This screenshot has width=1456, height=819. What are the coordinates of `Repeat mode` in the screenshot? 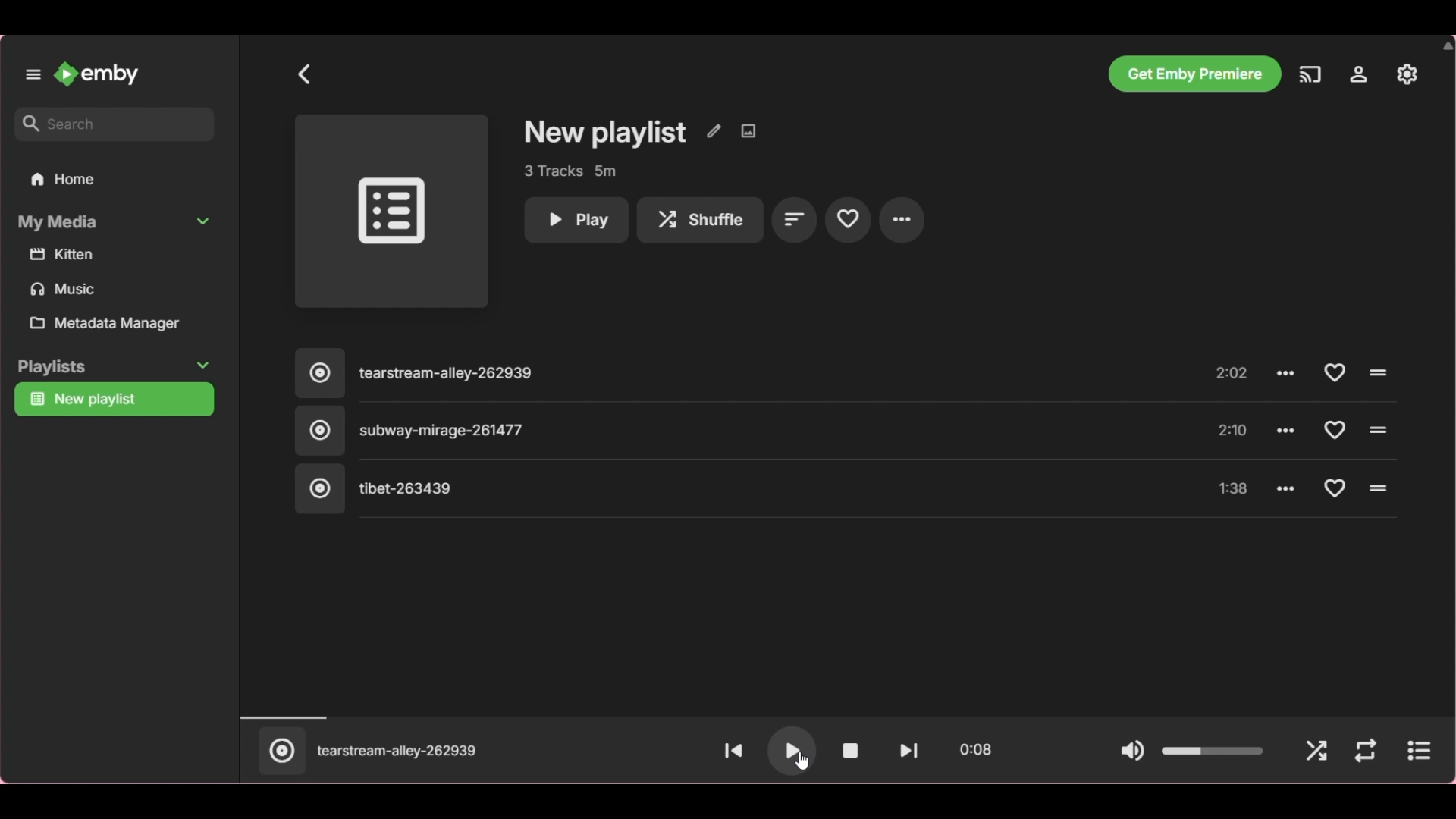 It's located at (1365, 752).